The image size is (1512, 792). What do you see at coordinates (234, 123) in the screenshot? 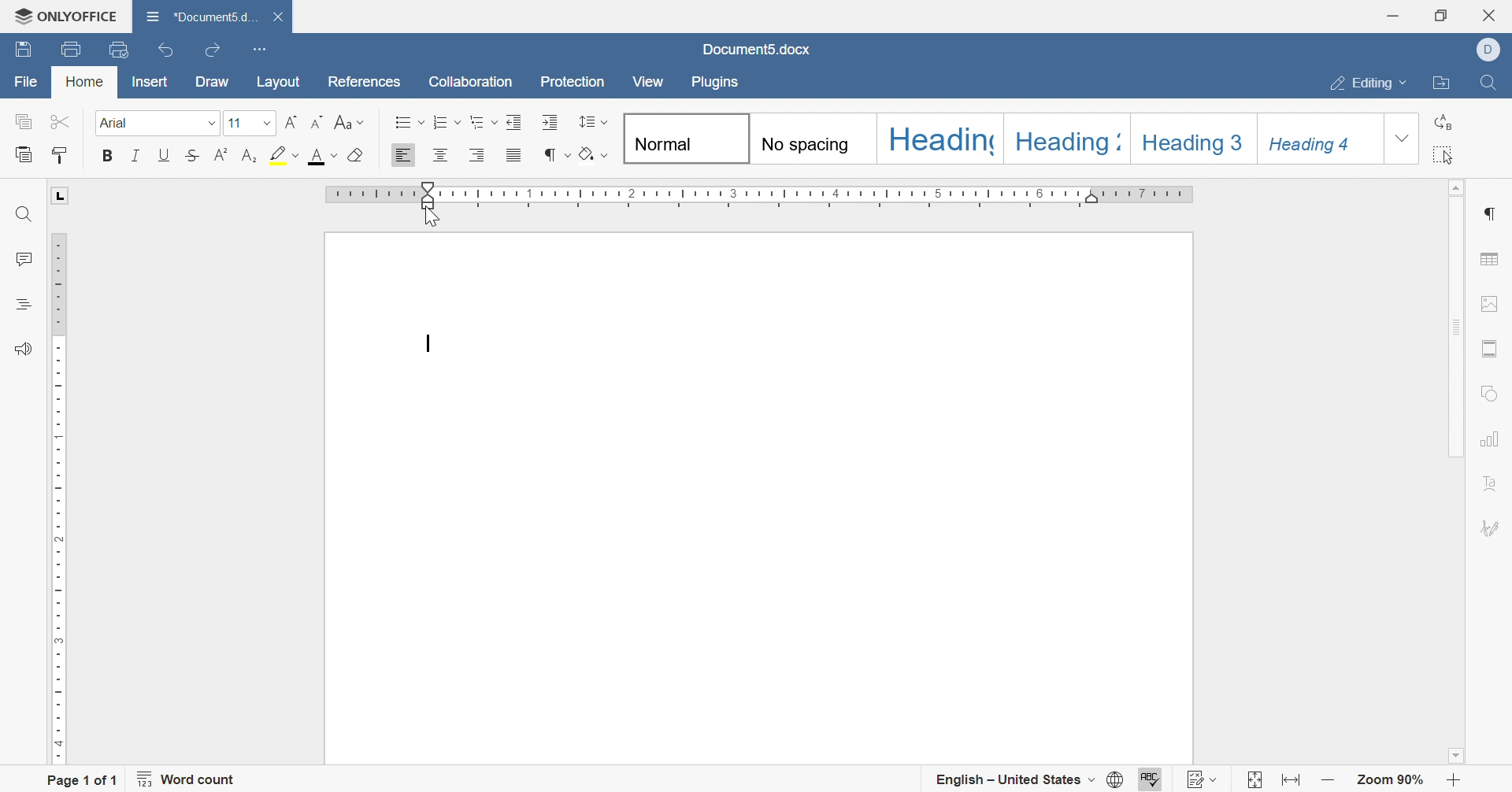
I see `font size` at bounding box center [234, 123].